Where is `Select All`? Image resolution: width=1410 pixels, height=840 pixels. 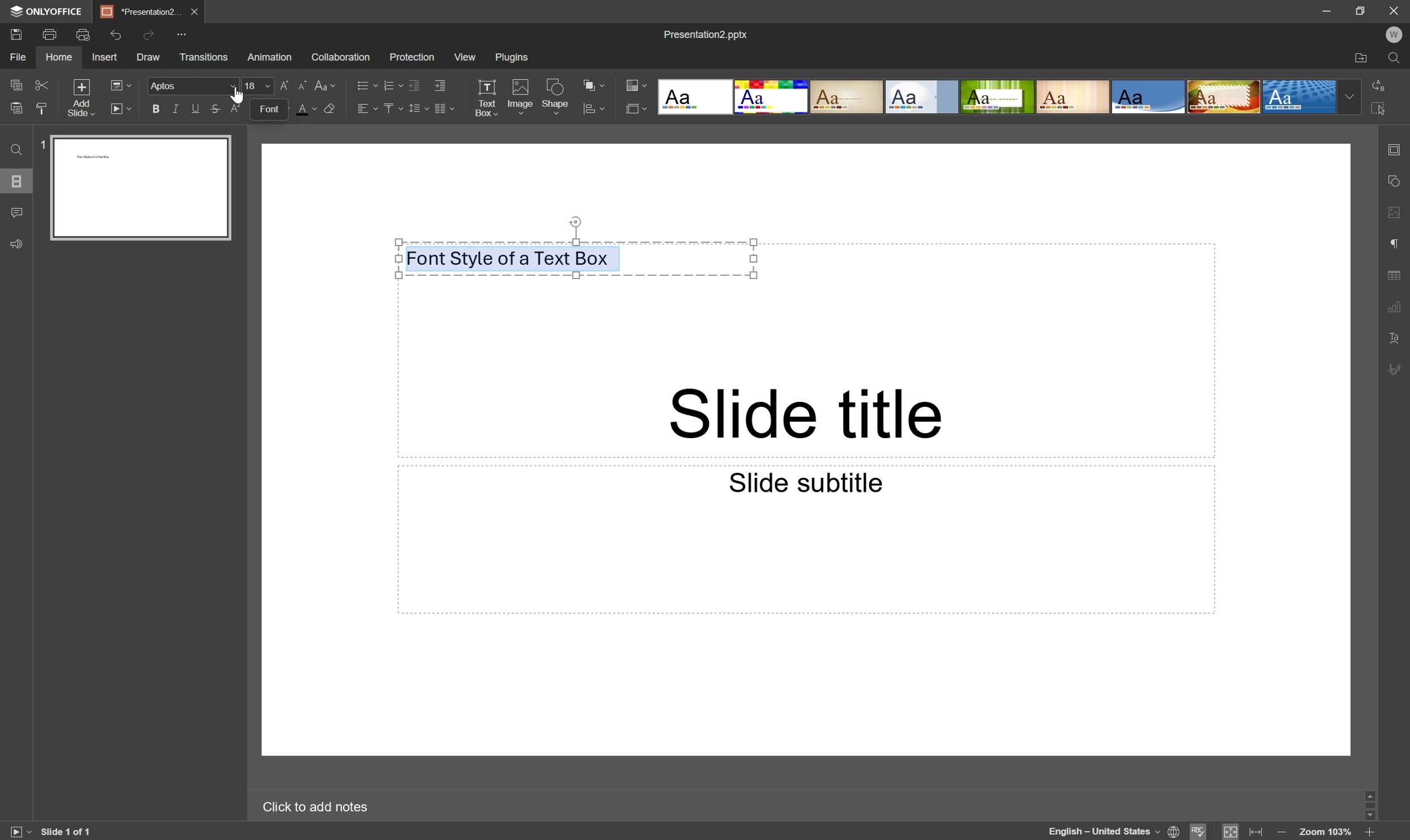
Select All is located at coordinates (1378, 108).